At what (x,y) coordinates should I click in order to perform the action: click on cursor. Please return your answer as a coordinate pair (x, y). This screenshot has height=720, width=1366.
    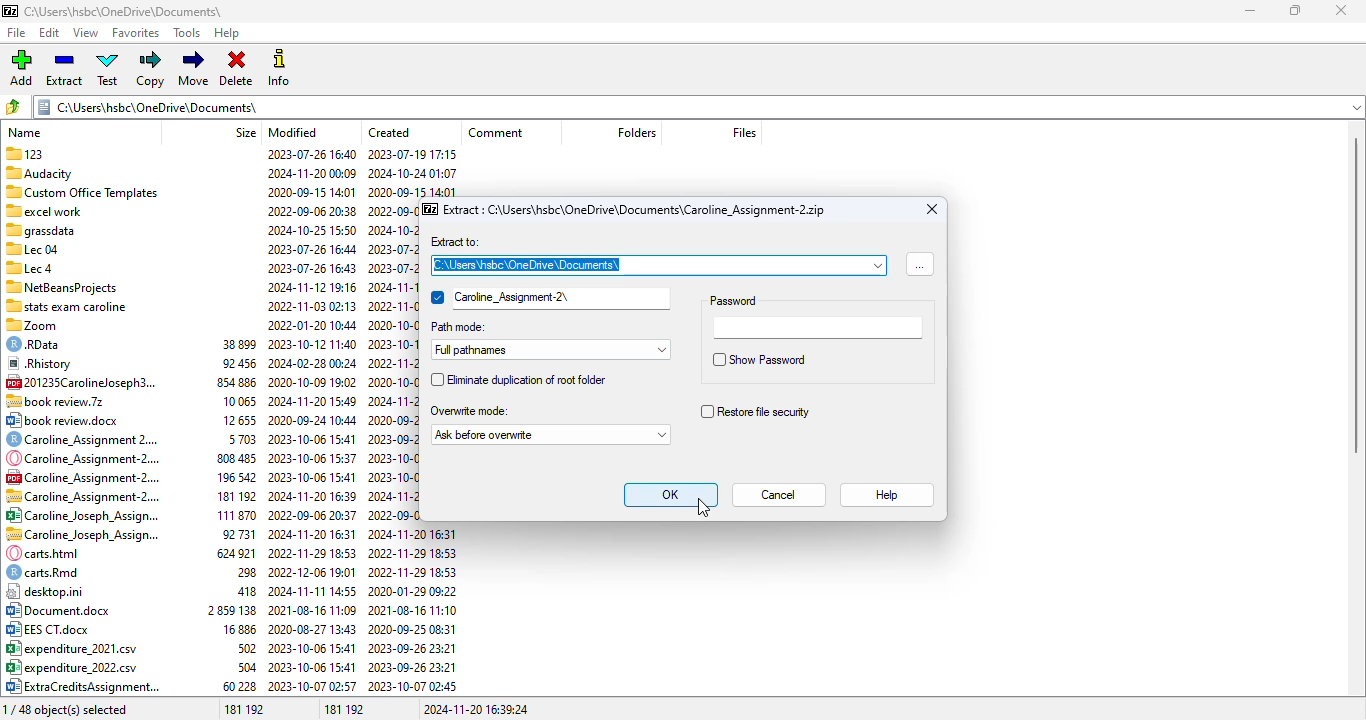
    Looking at the image, I should click on (704, 508).